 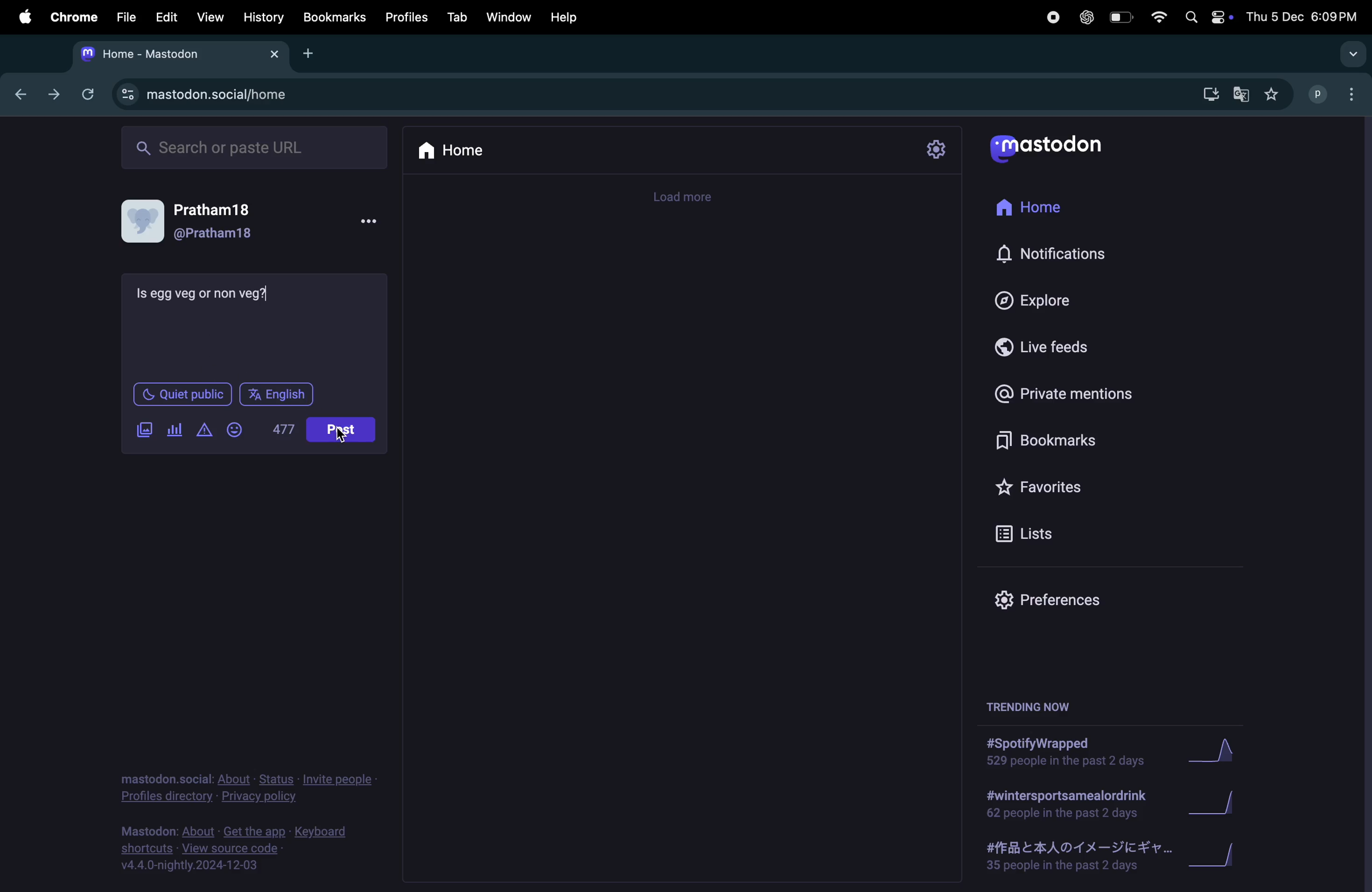 What do you see at coordinates (372, 221) in the screenshot?
I see `options` at bounding box center [372, 221].